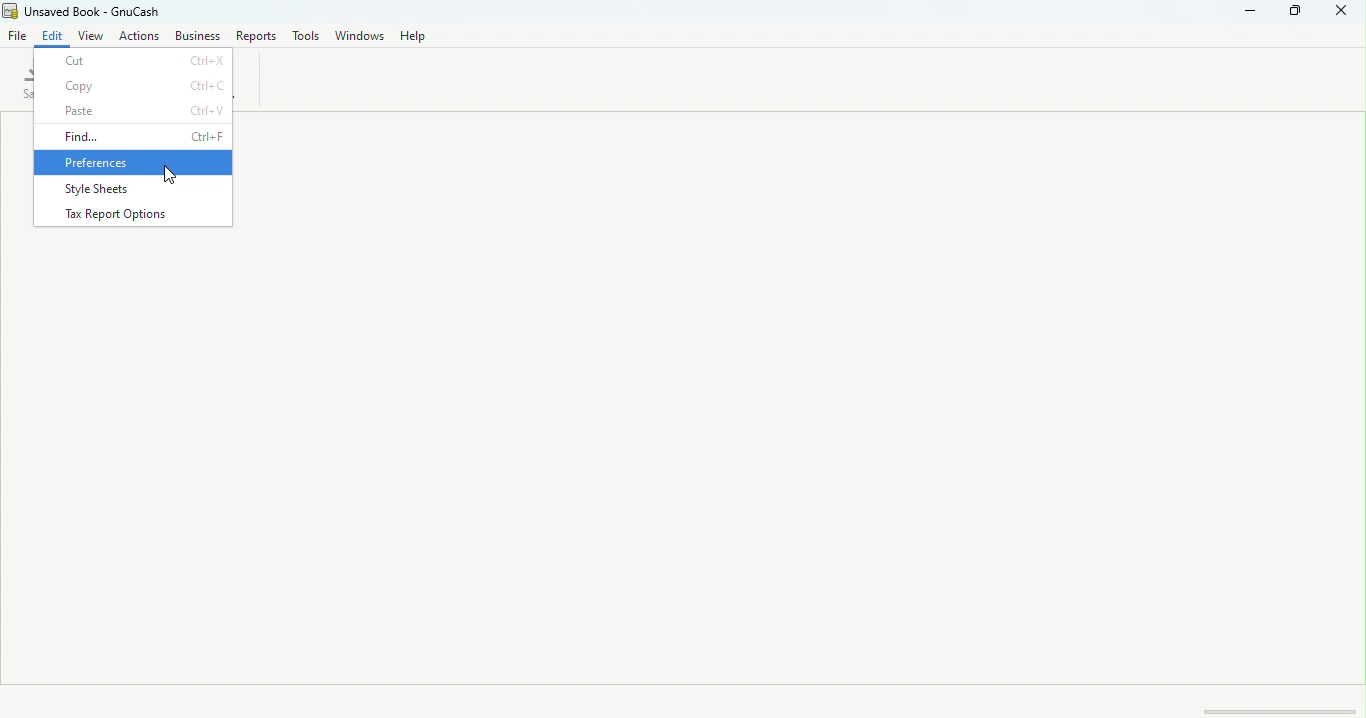  What do you see at coordinates (53, 37) in the screenshot?
I see `Edit` at bounding box center [53, 37].